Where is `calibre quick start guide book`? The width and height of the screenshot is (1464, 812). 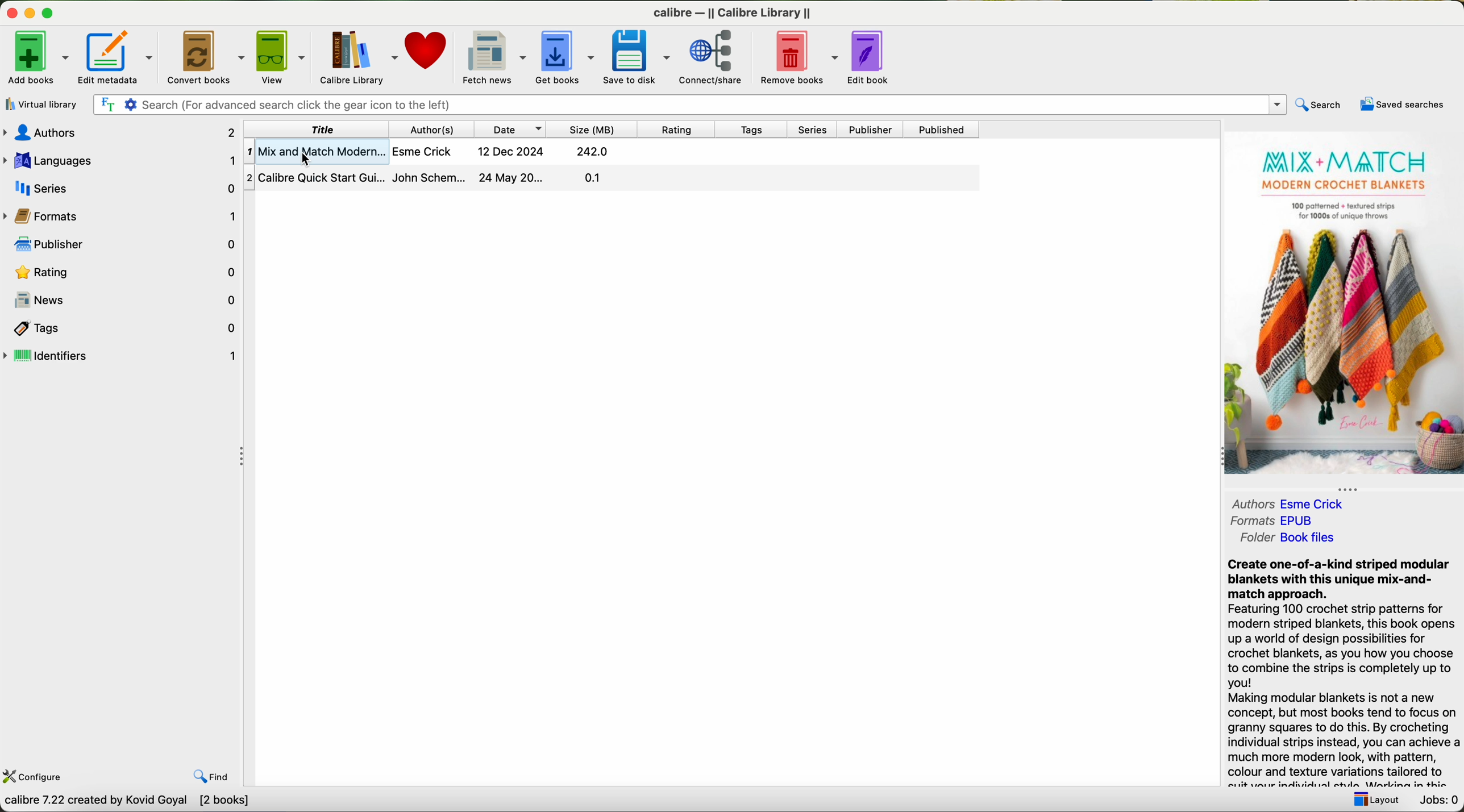
calibre quick start guide book is located at coordinates (611, 176).